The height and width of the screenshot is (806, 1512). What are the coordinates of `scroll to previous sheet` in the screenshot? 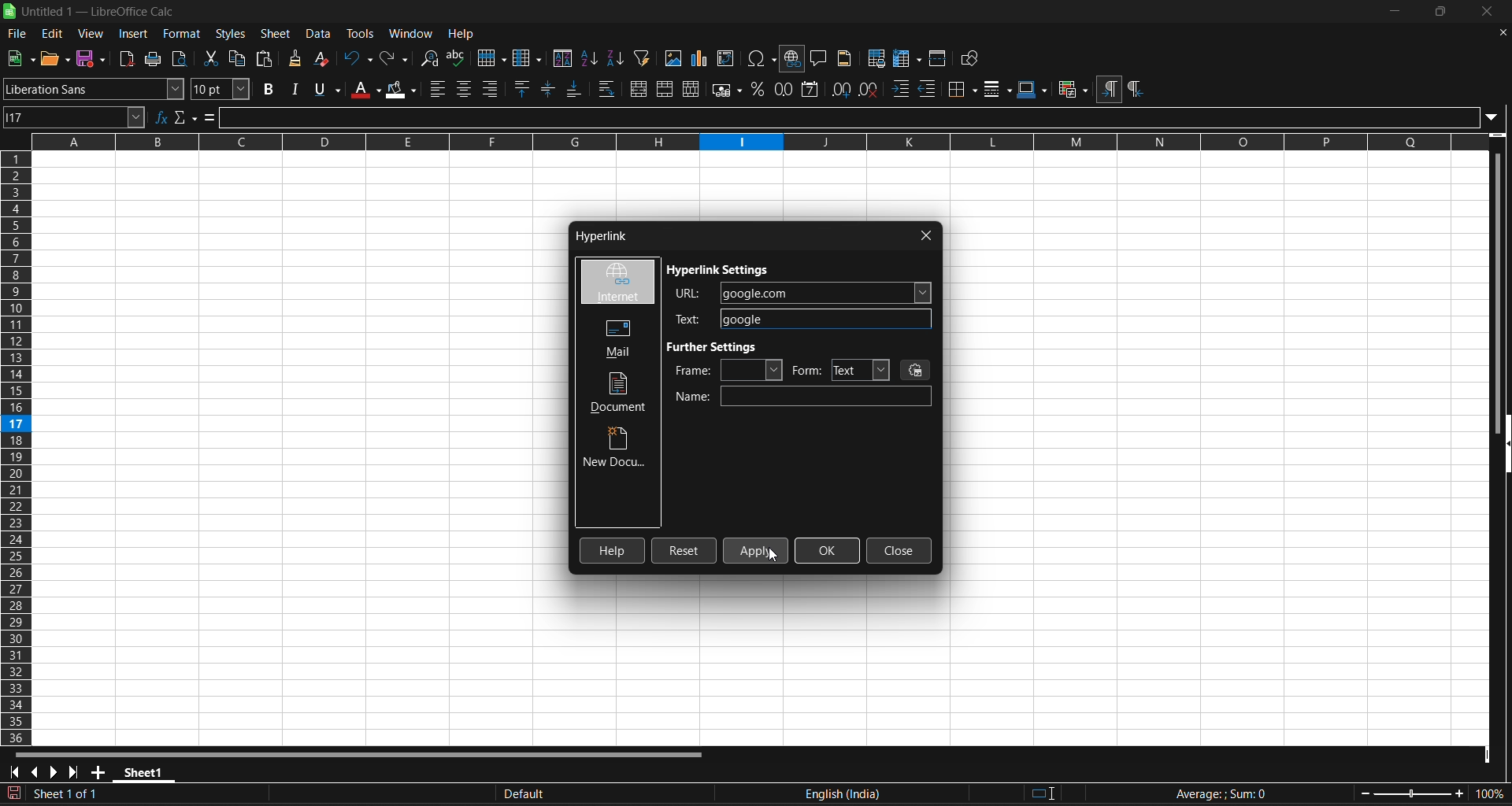 It's located at (35, 772).